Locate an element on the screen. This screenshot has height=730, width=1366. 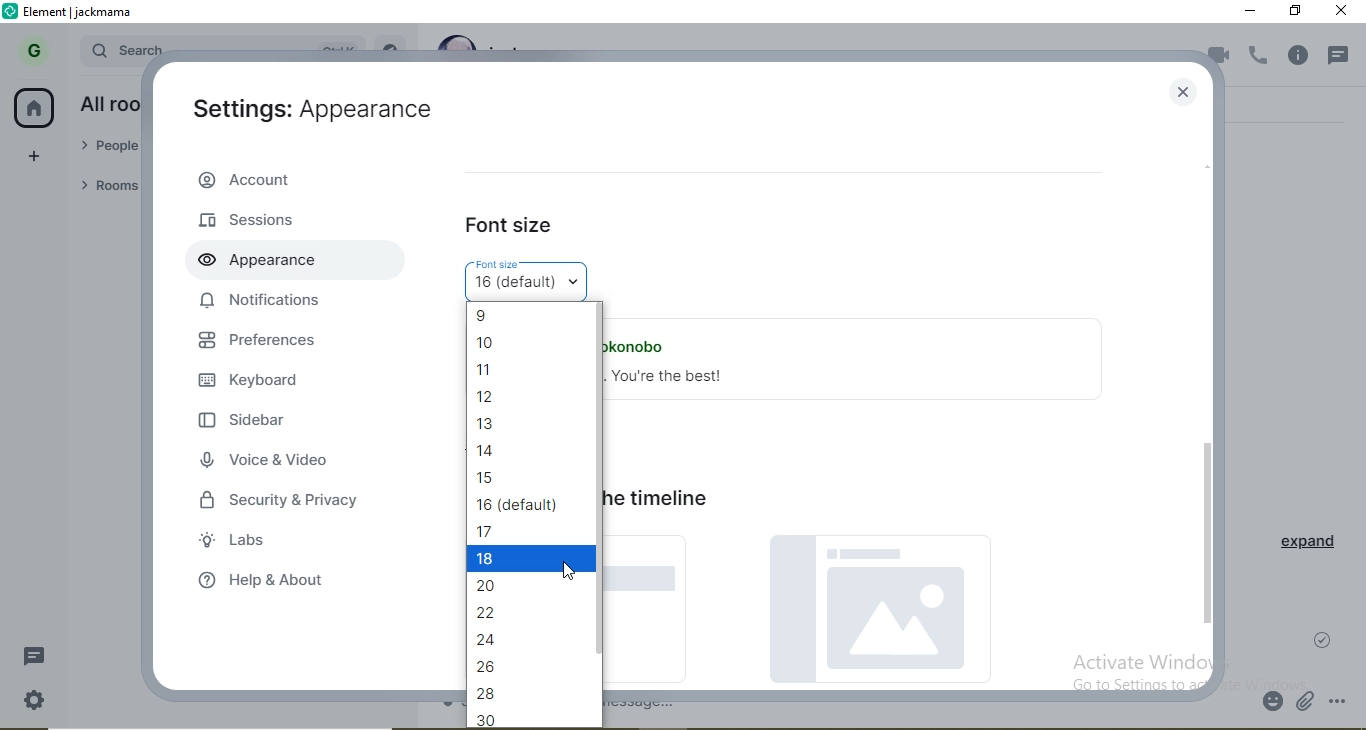
all rooms is located at coordinates (107, 104).